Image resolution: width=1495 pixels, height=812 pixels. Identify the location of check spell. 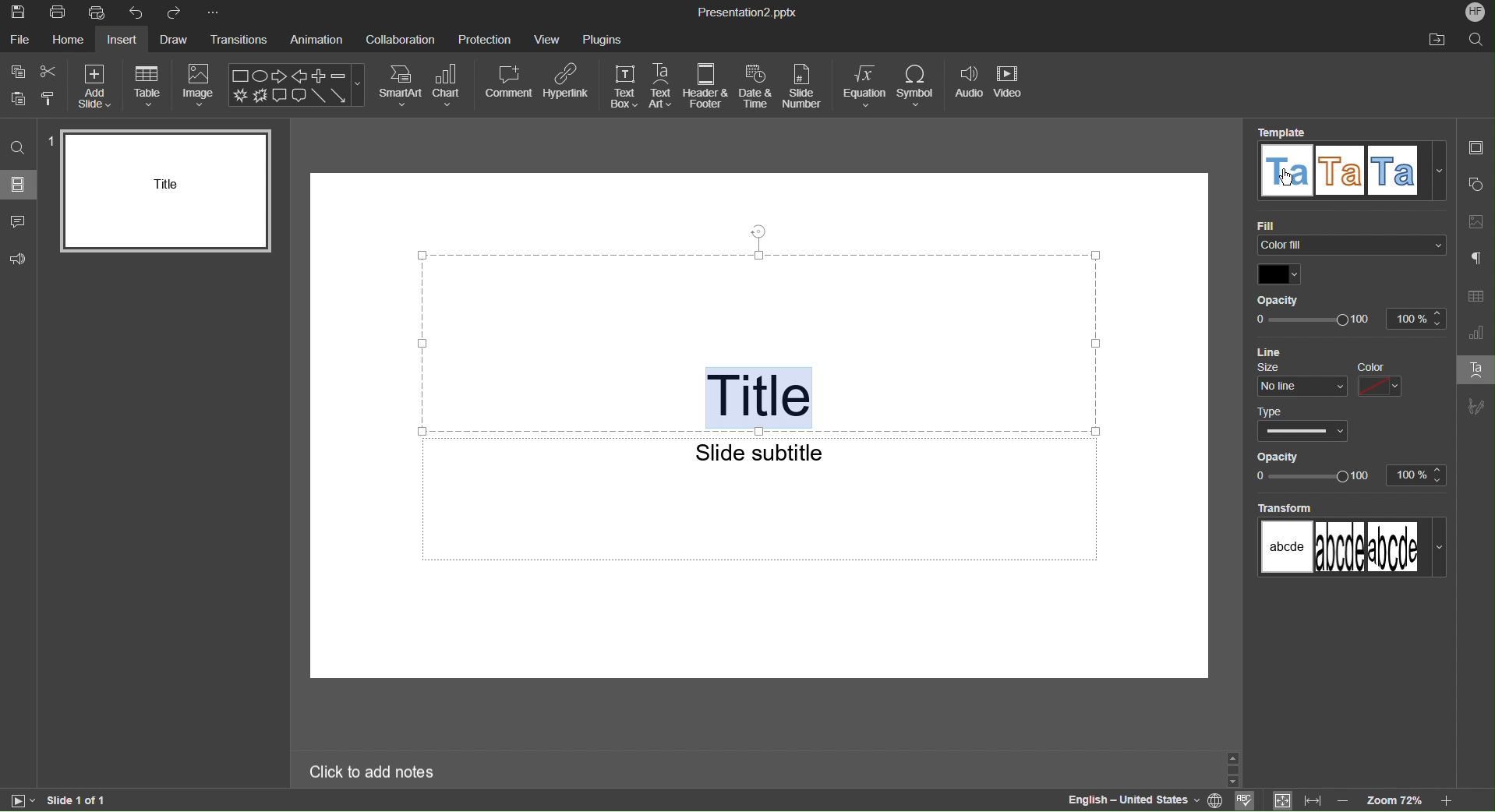
(1246, 800).